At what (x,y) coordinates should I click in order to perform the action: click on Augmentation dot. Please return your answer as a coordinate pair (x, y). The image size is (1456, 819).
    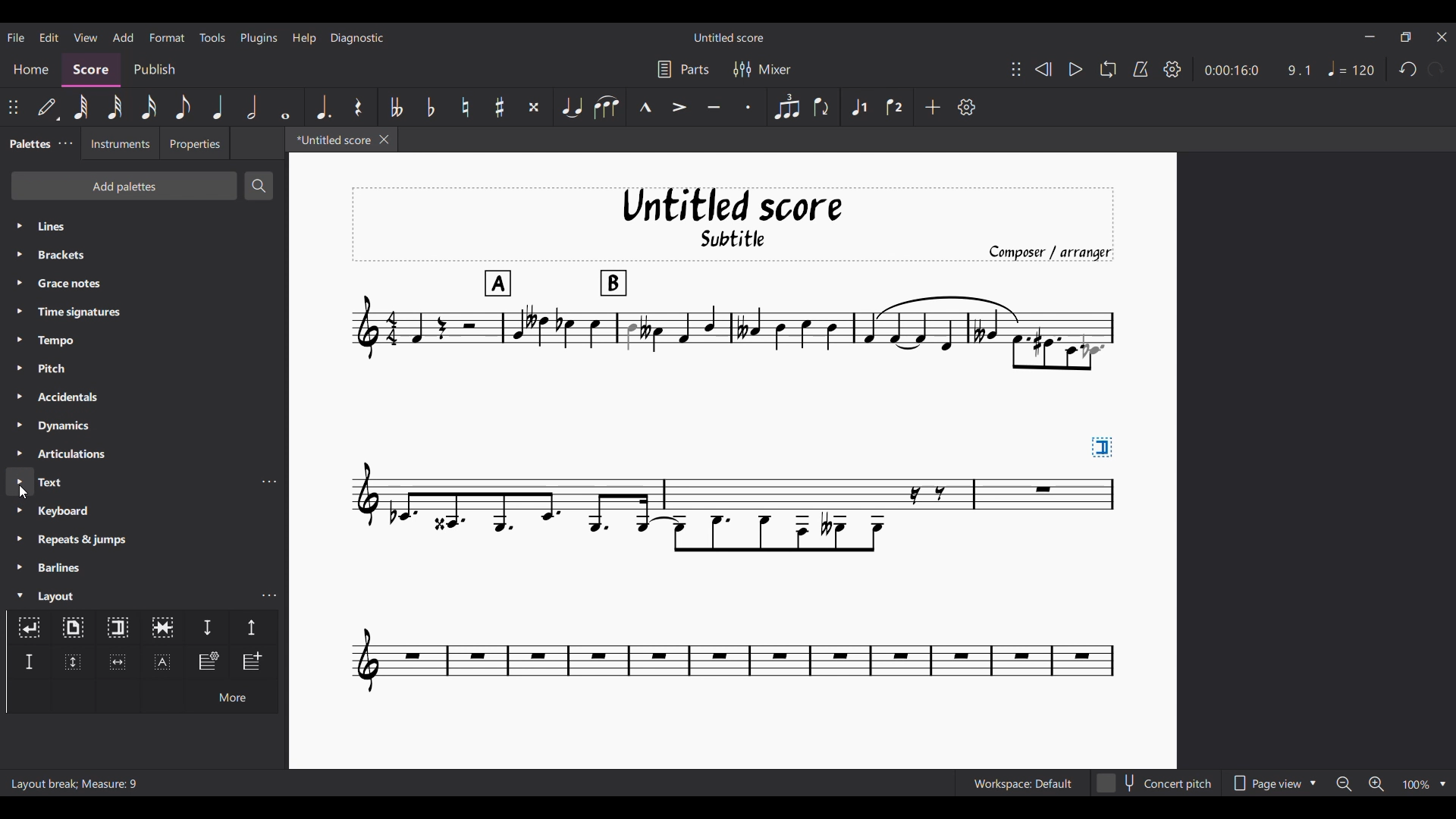
    Looking at the image, I should click on (322, 107).